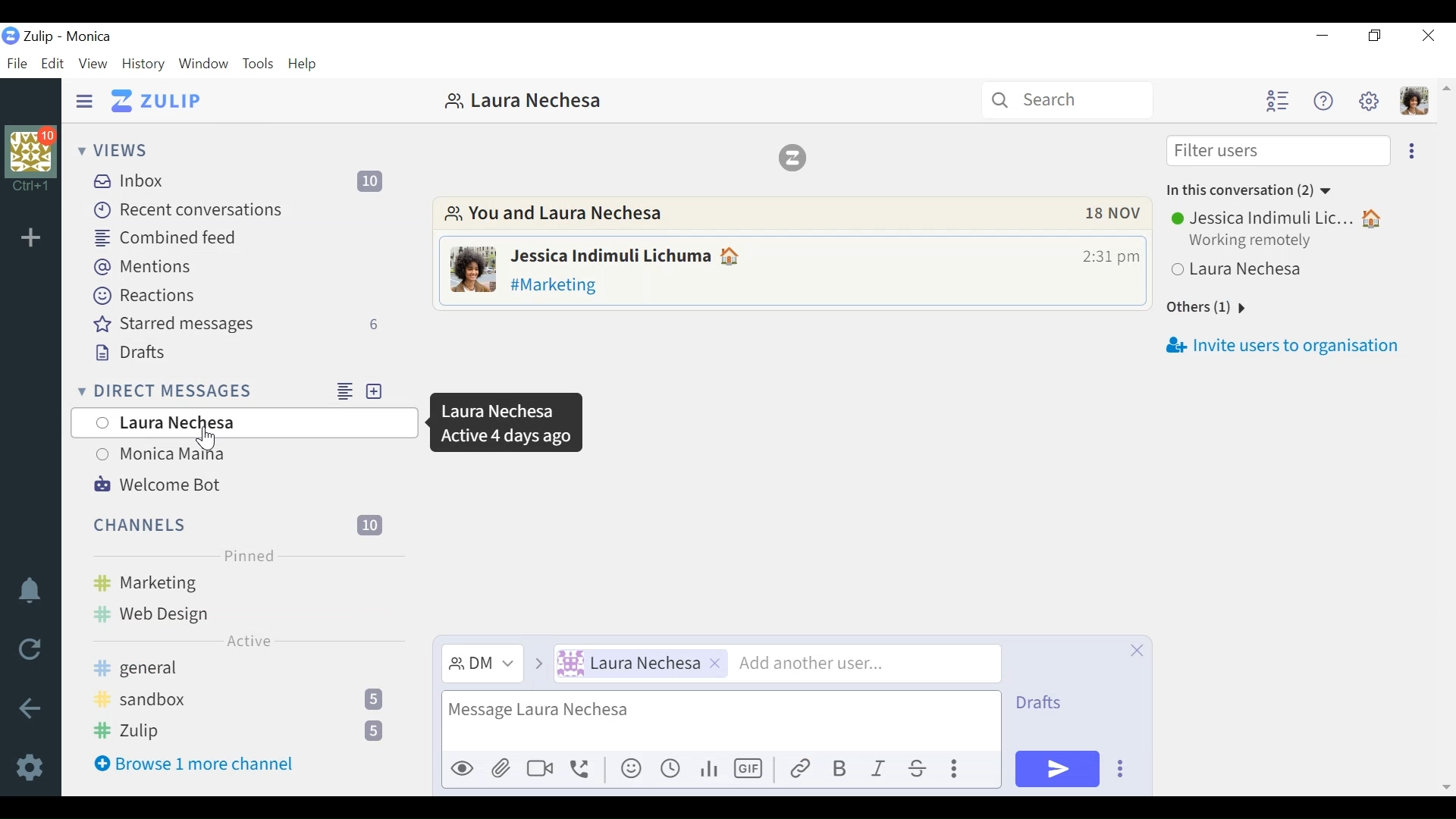 The image size is (1456, 819). What do you see at coordinates (1290, 243) in the screenshot?
I see `user` at bounding box center [1290, 243].